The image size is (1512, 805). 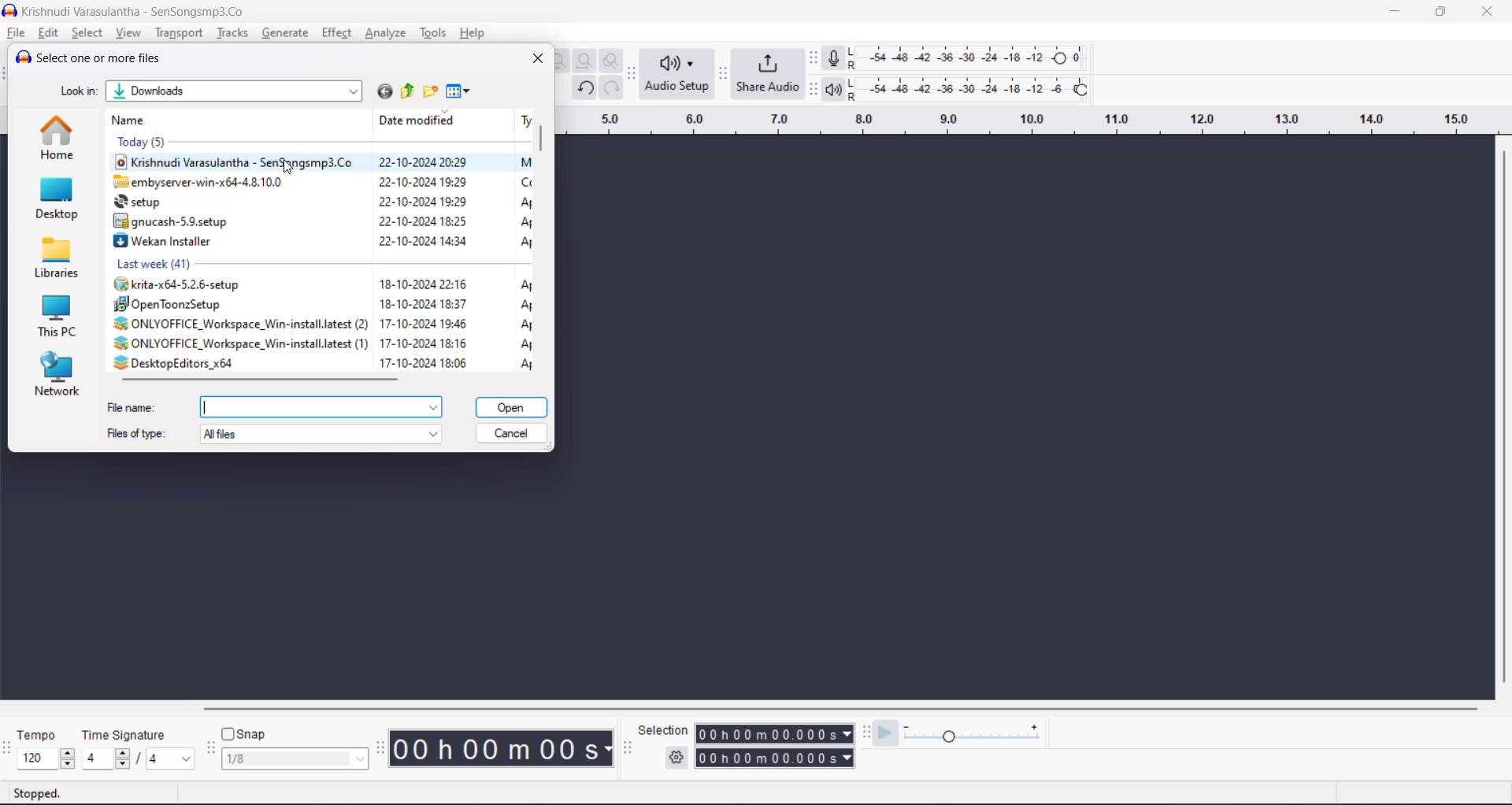 What do you see at coordinates (867, 732) in the screenshot?
I see `play at speed toolbar` at bounding box center [867, 732].